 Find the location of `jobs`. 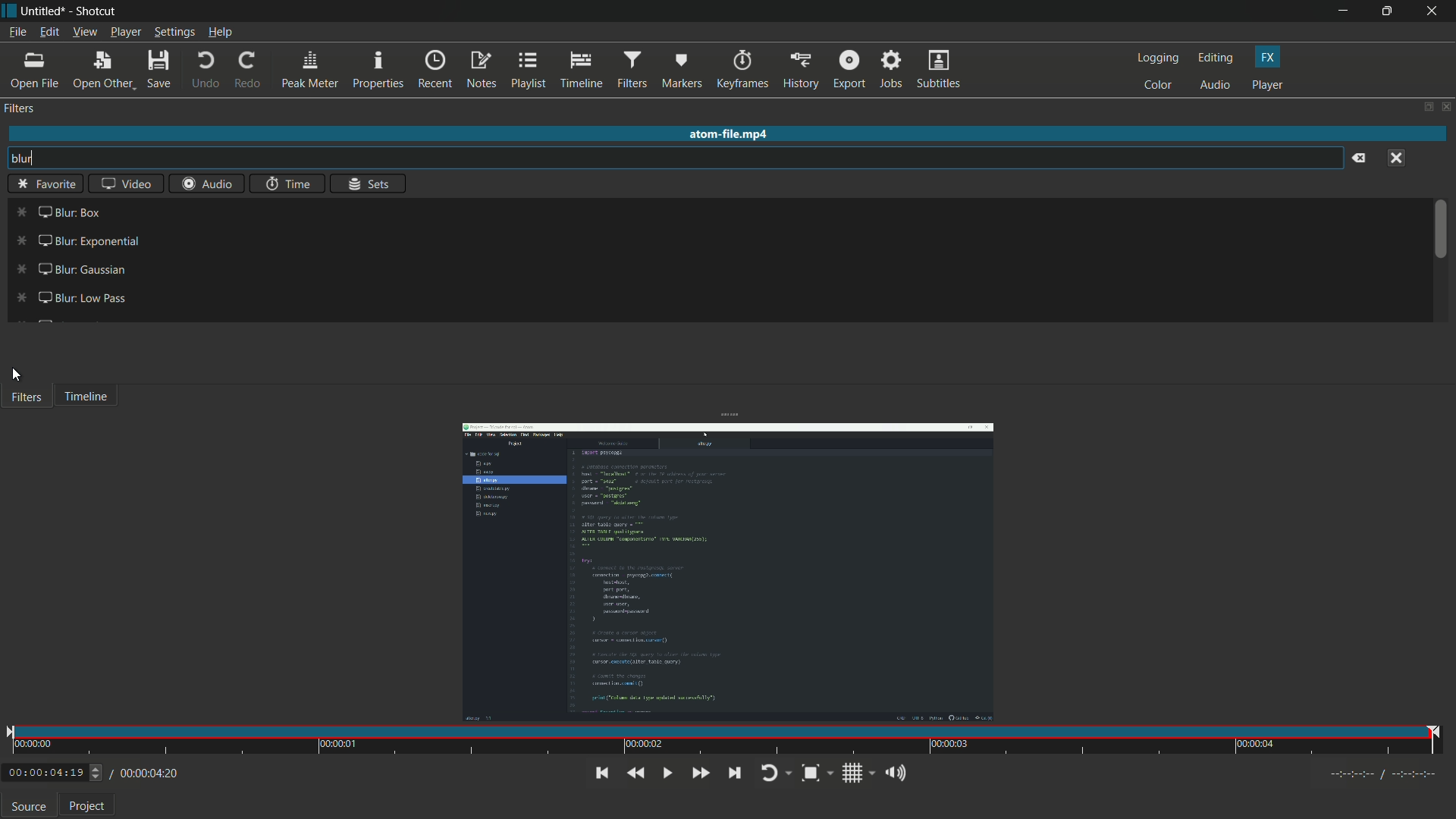

jobs is located at coordinates (888, 71).